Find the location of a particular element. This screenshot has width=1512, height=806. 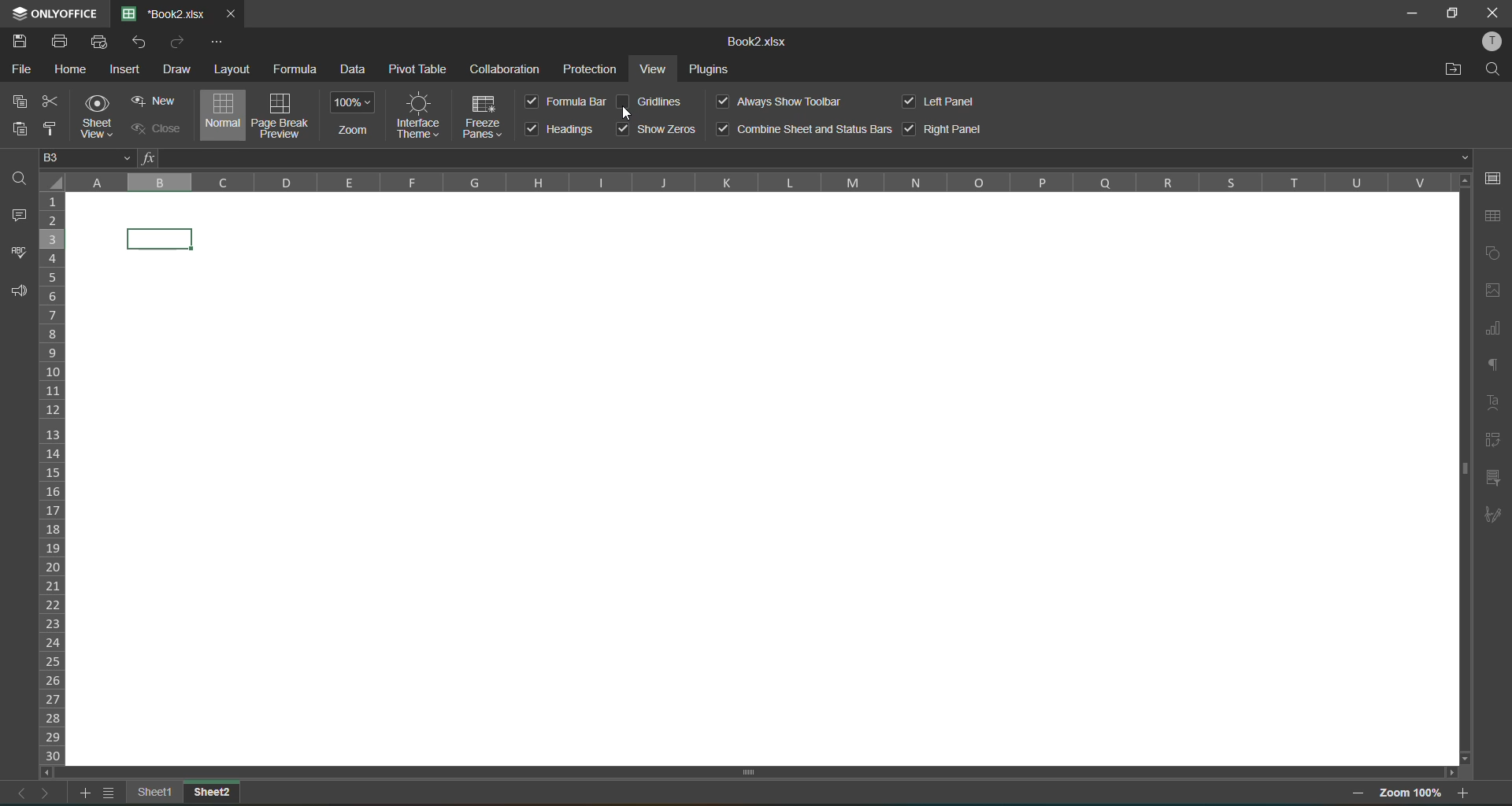

book2.xlsx is located at coordinates (753, 43).